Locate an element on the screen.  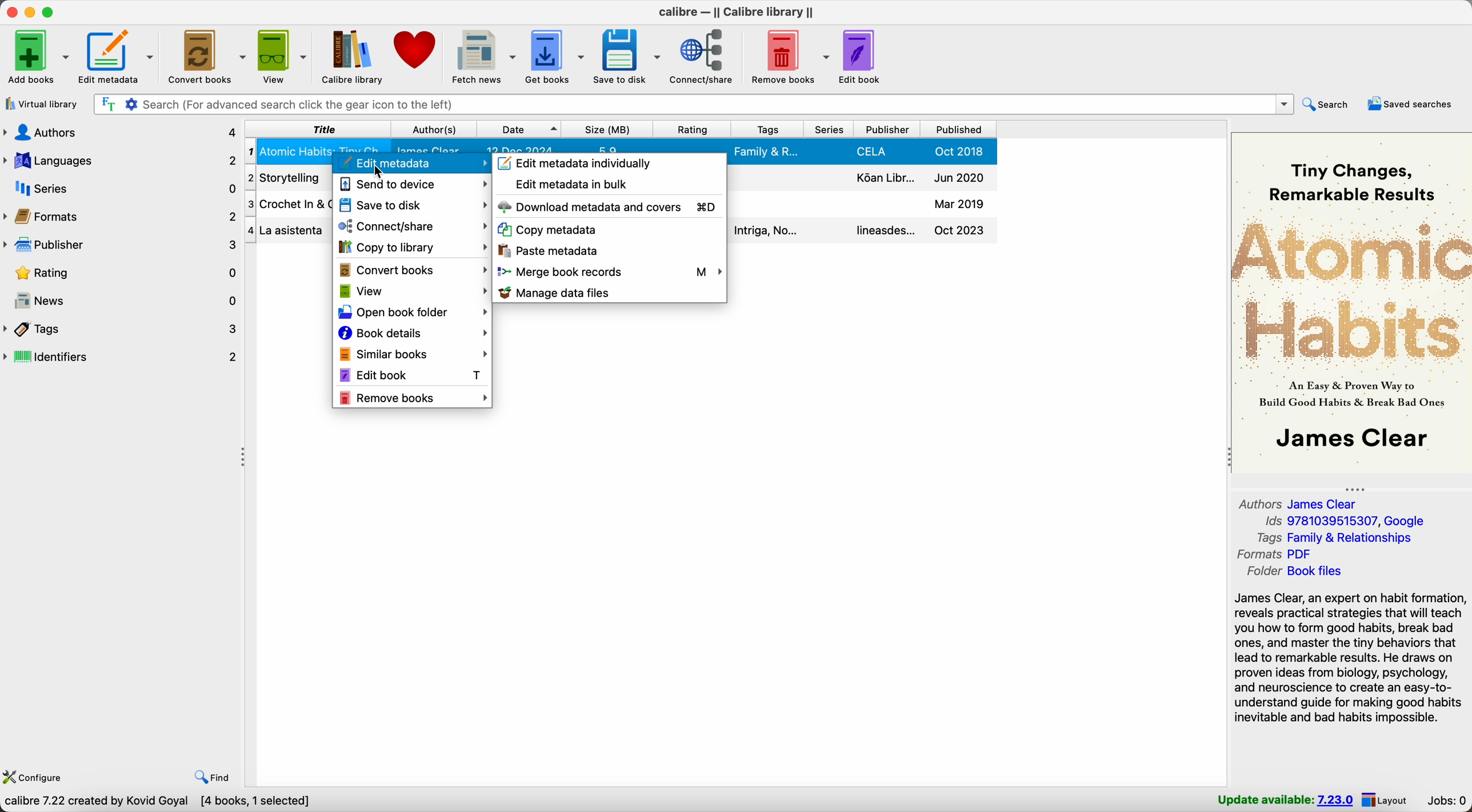
edit metadata in bulk is located at coordinates (569, 185).